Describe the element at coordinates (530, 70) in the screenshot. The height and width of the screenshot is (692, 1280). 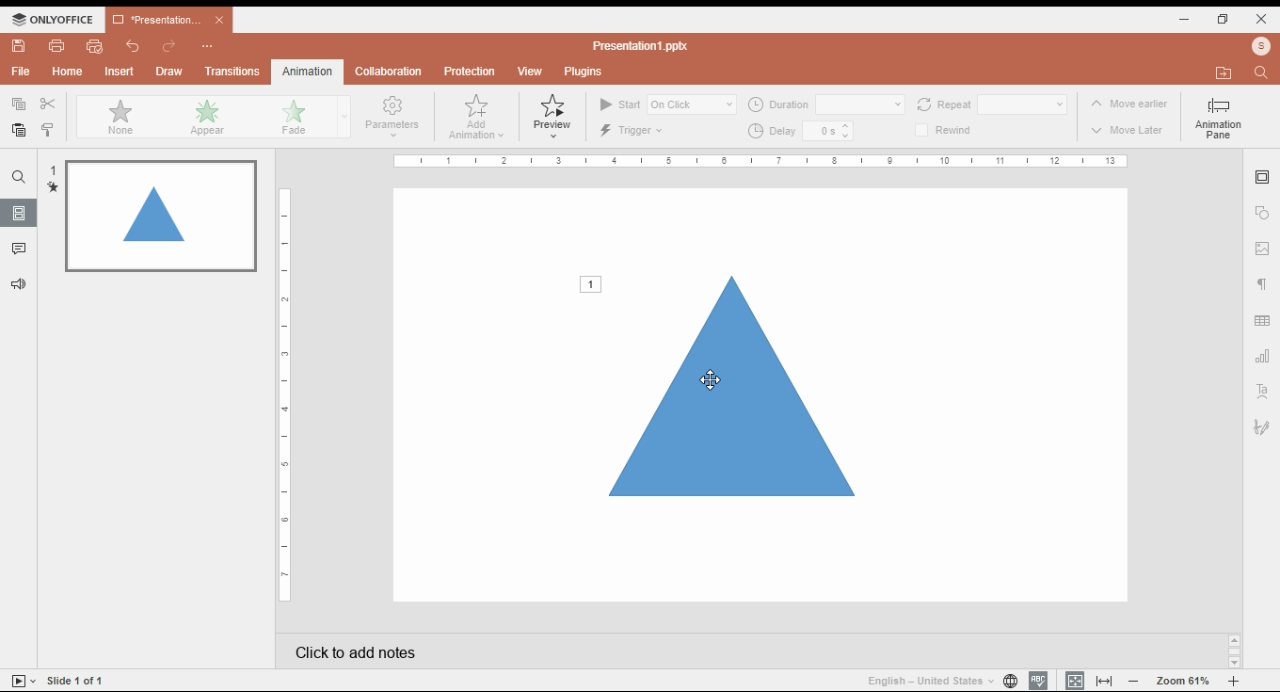
I see `view` at that location.